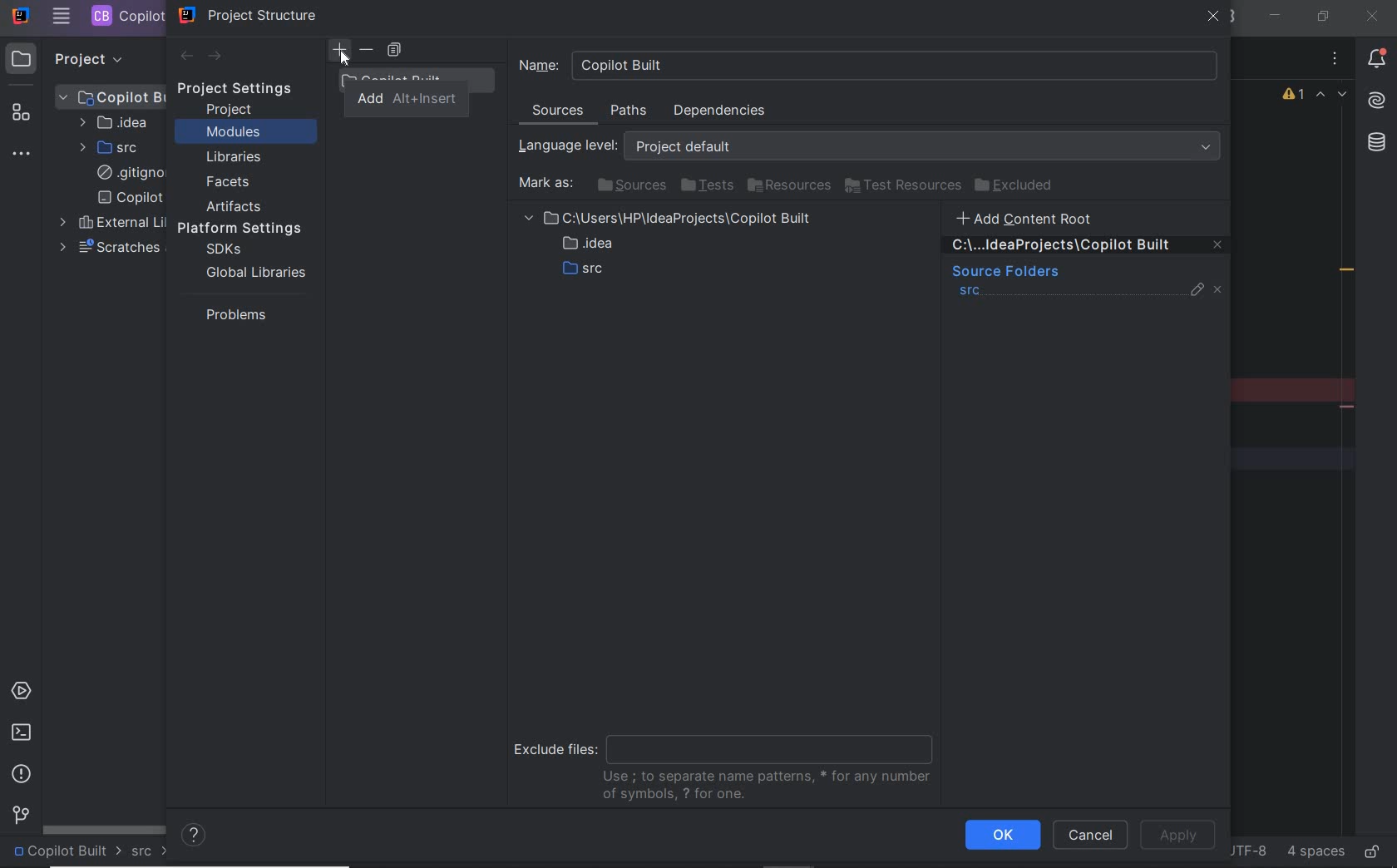  What do you see at coordinates (345, 58) in the screenshot?
I see `cursor` at bounding box center [345, 58].